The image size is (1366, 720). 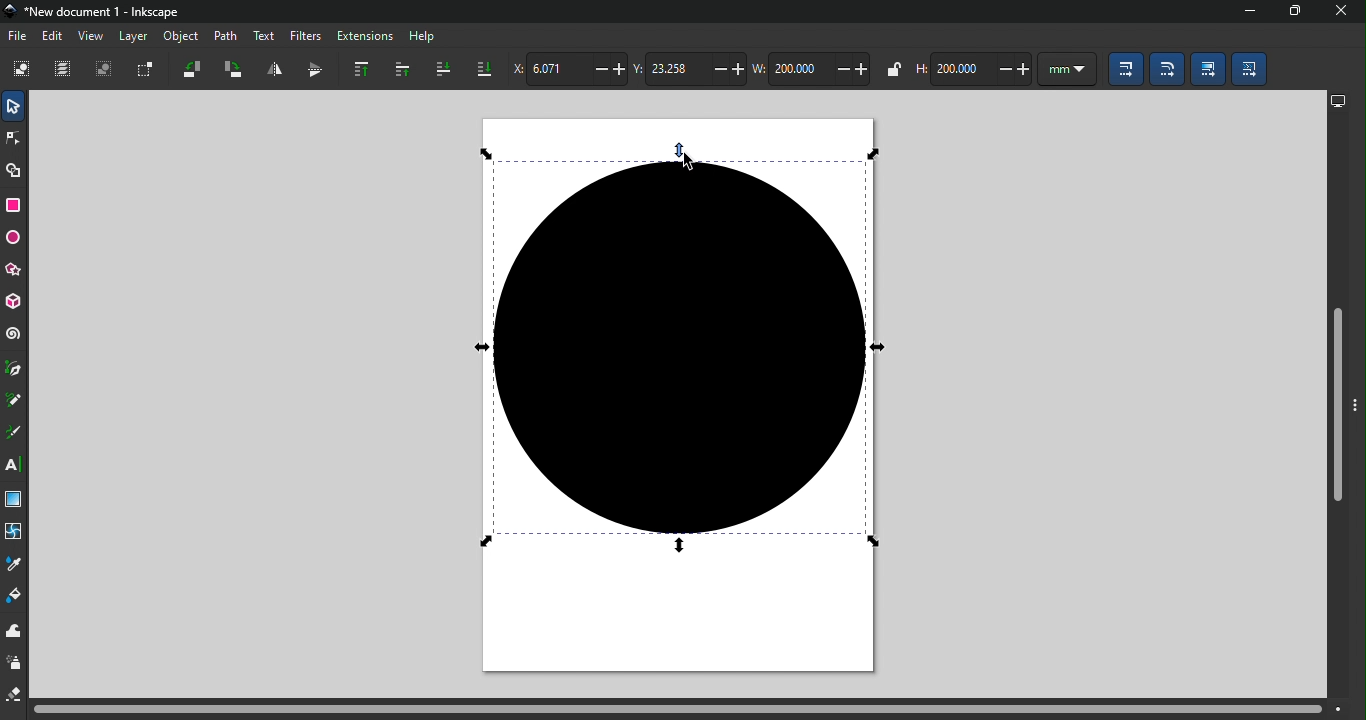 I want to click on Cursor, so click(x=689, y=165).